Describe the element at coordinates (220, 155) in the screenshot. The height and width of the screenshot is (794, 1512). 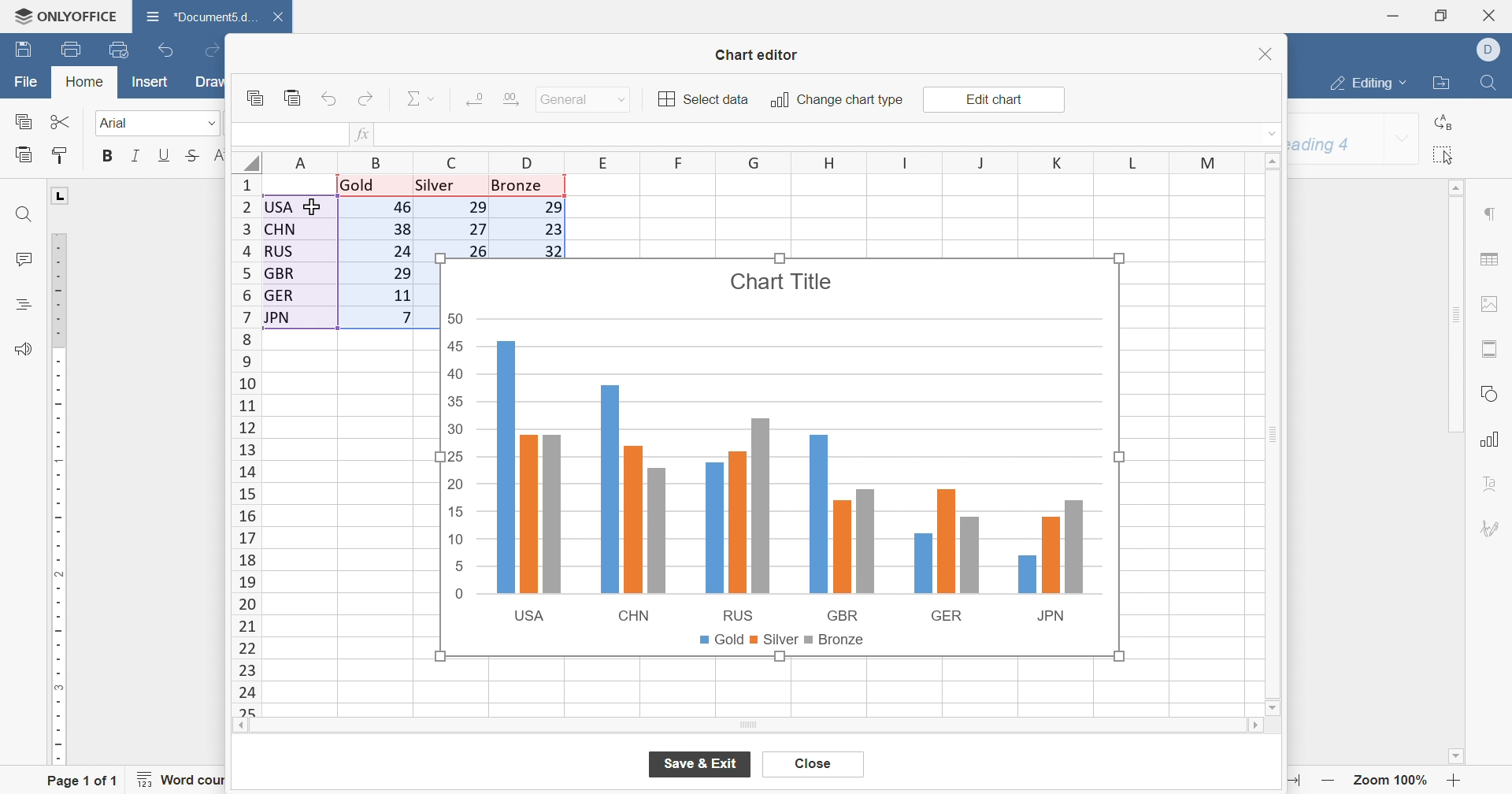
I see `superscript` at that location.